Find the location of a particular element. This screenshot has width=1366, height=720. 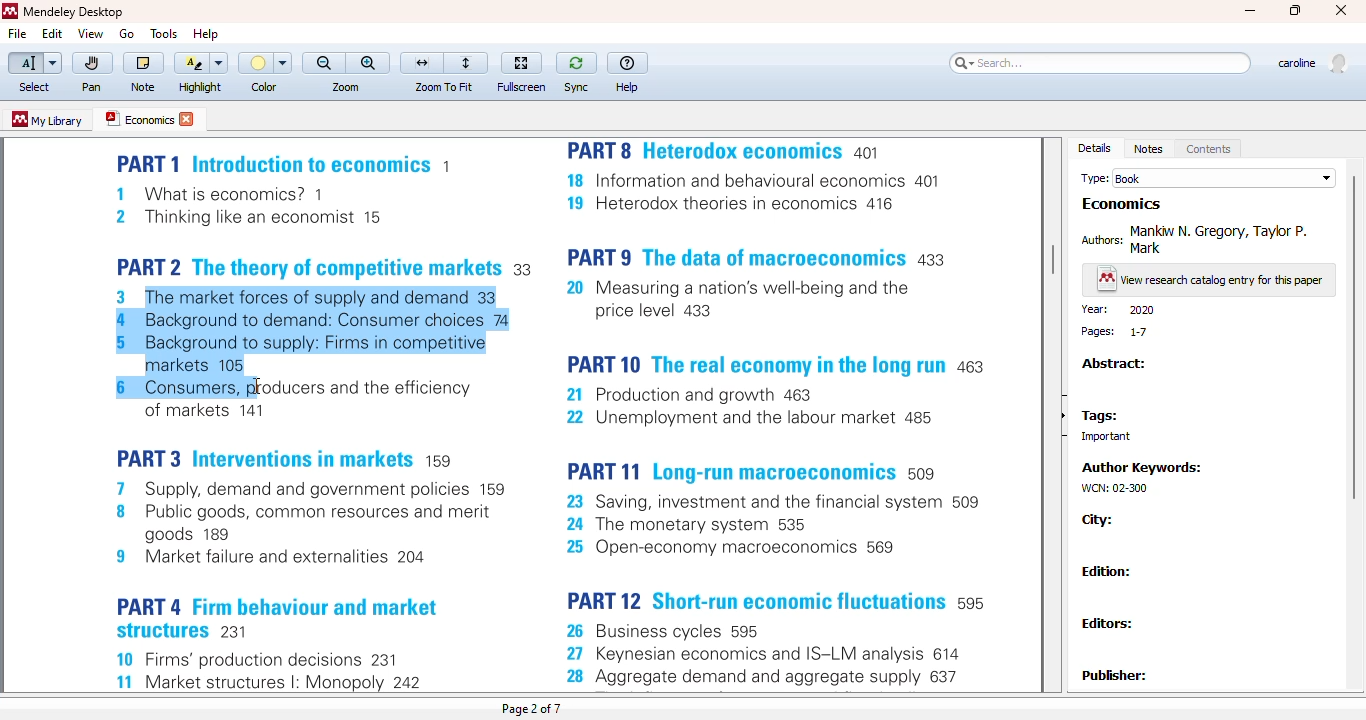

zoom is located at coordinates (346, 87).